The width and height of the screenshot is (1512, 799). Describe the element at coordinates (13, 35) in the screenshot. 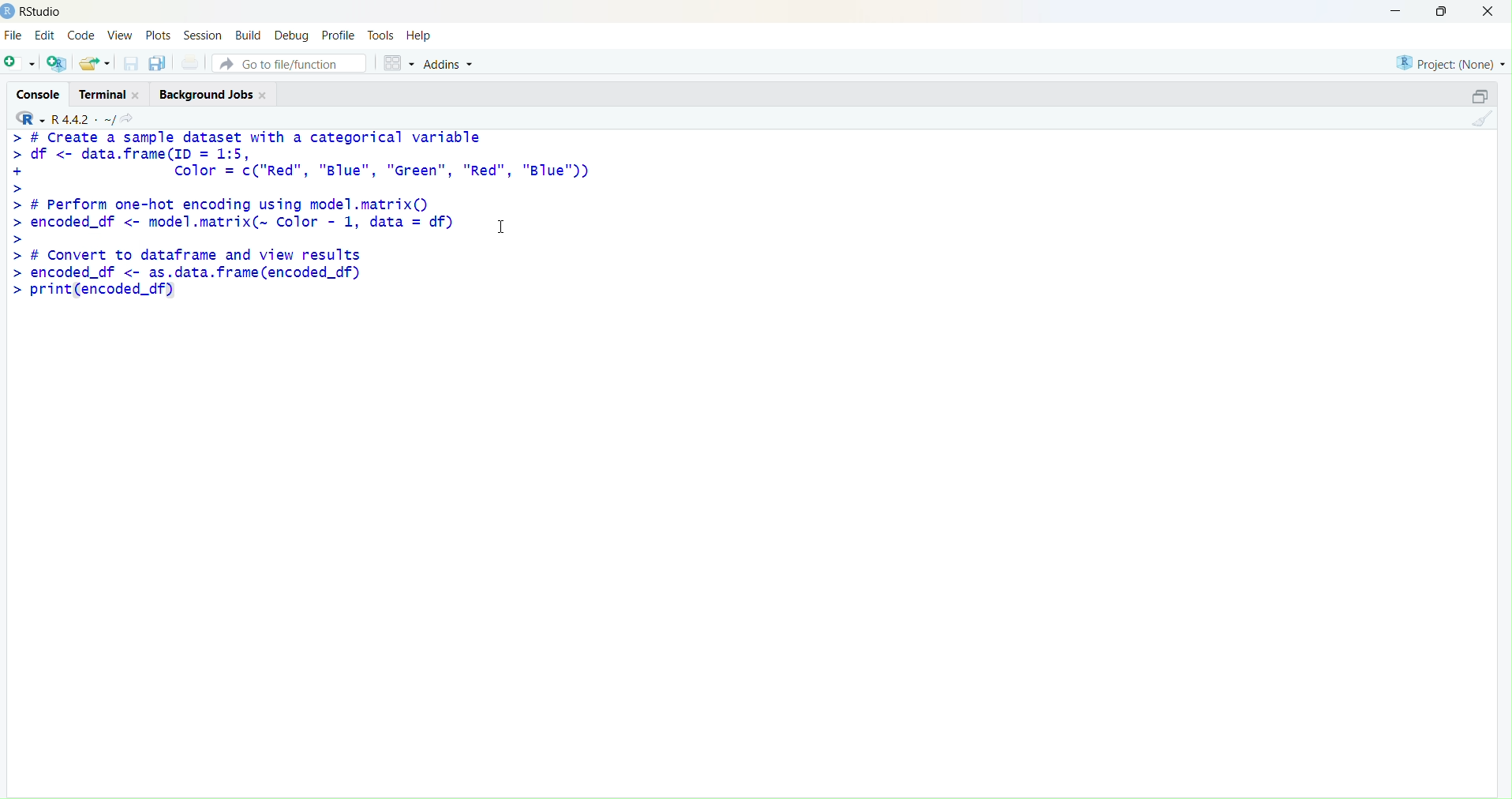

I see `file` at that location.